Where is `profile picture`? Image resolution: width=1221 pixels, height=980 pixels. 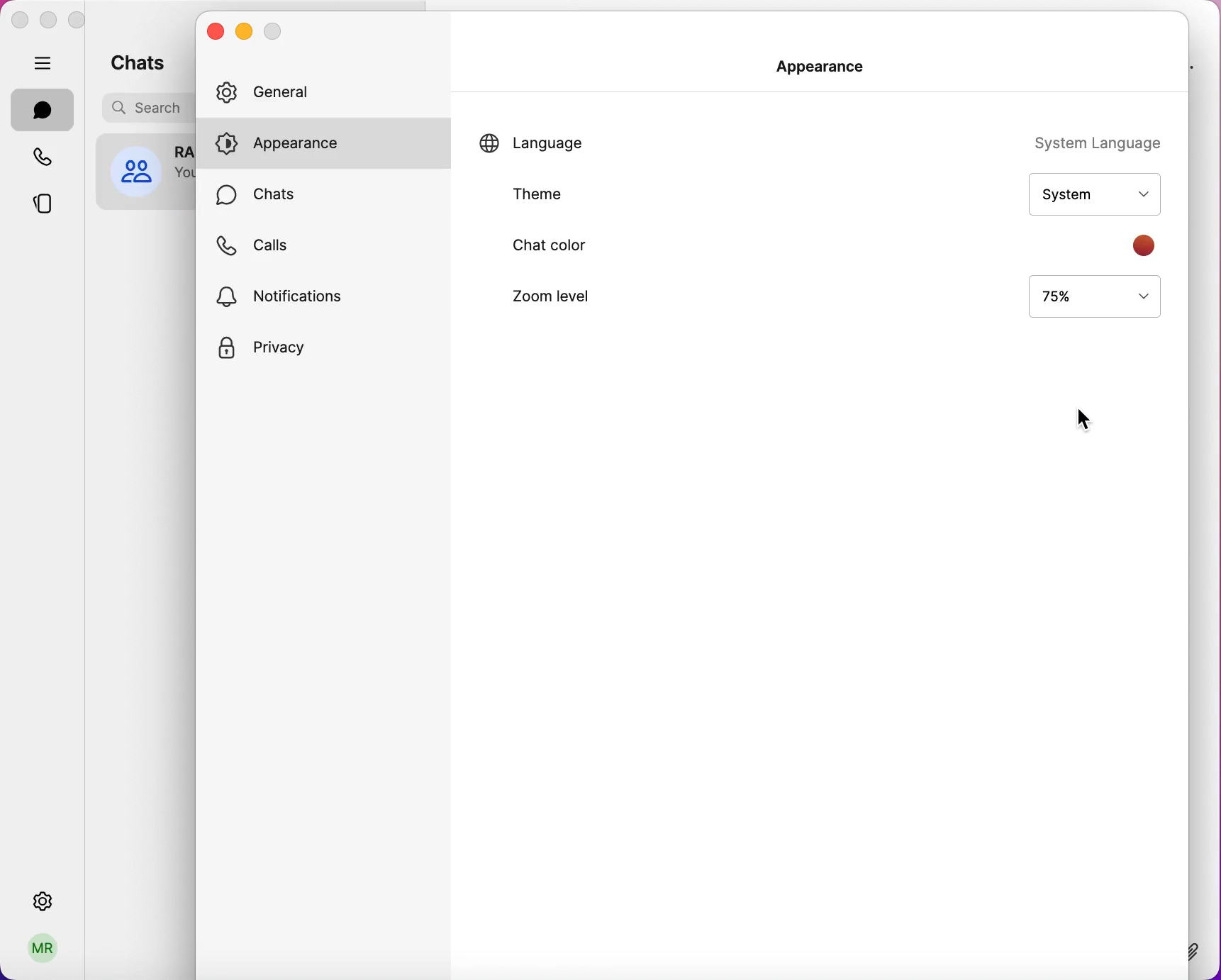
profile picture is located at coordinates (144, 171).